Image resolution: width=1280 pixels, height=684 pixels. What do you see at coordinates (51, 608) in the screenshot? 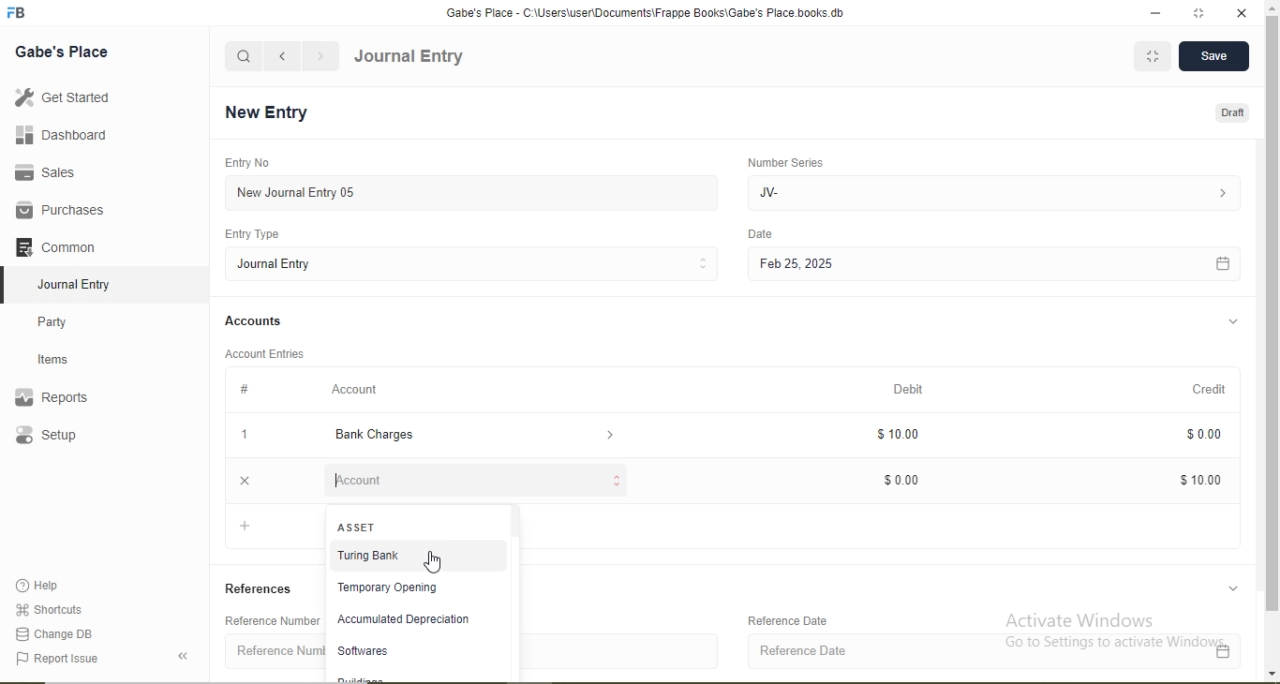
I see `‘Shortcuts` at bounding box center [51, 608].